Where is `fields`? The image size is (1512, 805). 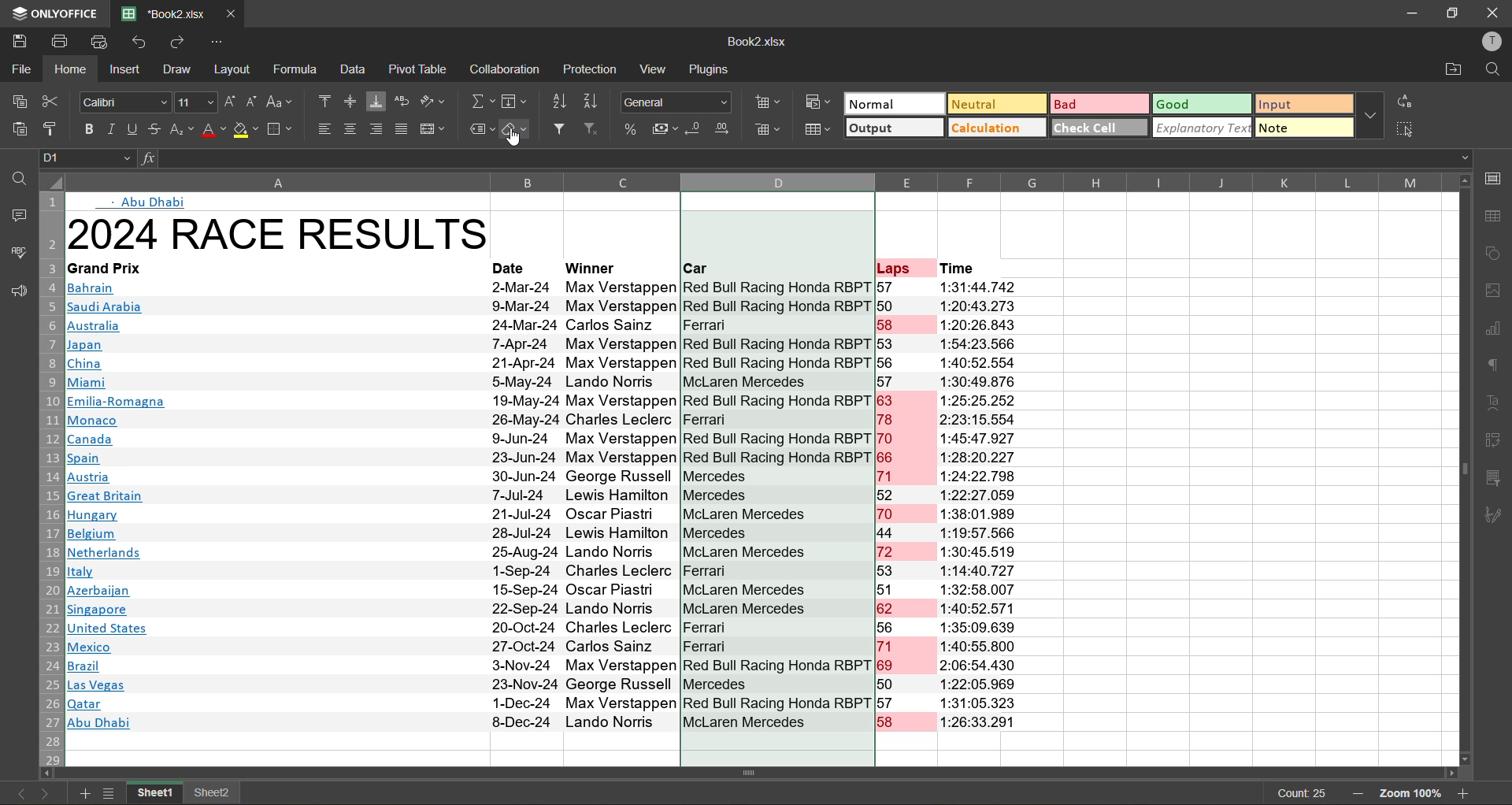 fields is located at coordinates (514, 99).